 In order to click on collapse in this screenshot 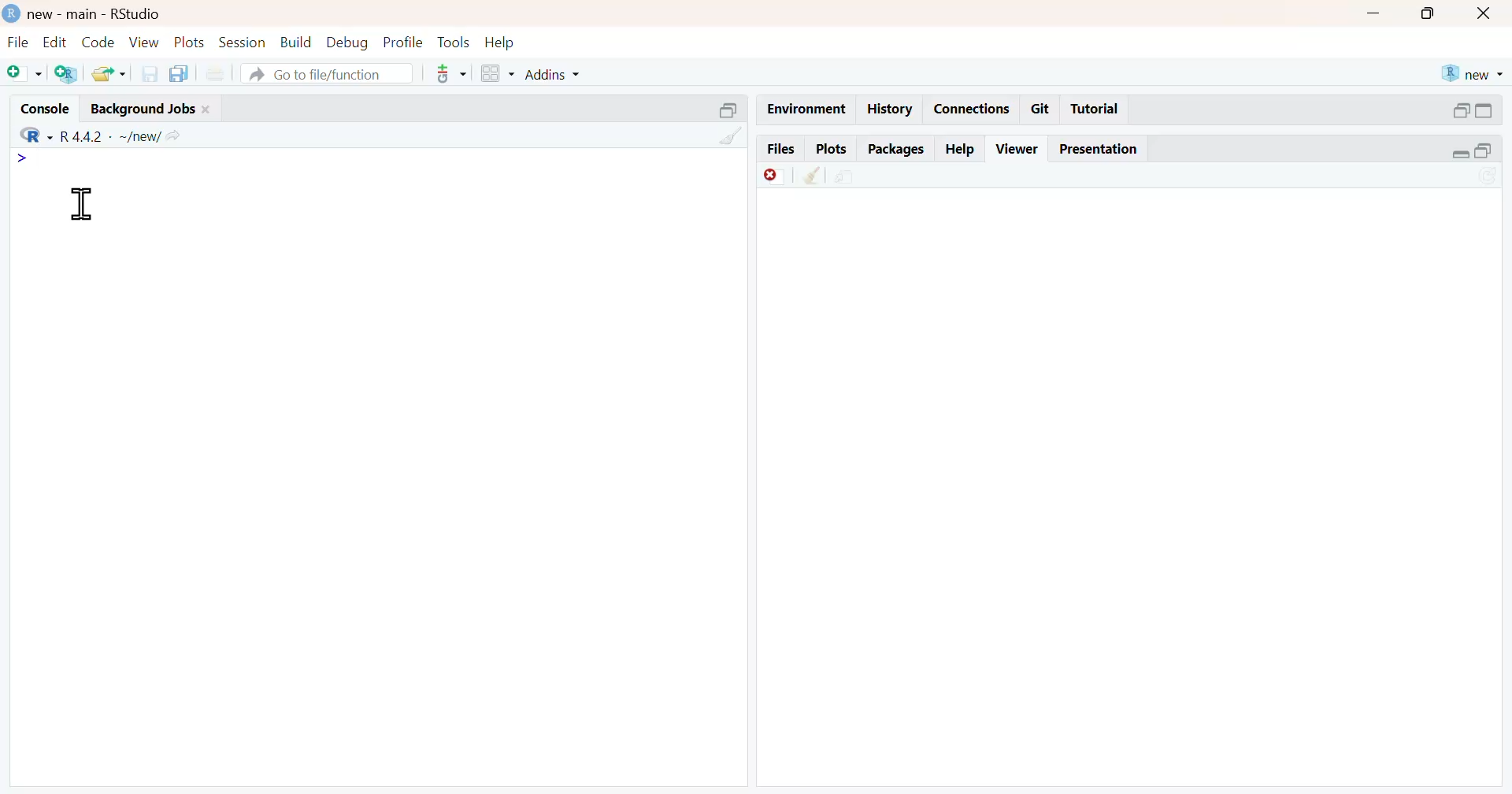, I will do `click(1490, 151)`.